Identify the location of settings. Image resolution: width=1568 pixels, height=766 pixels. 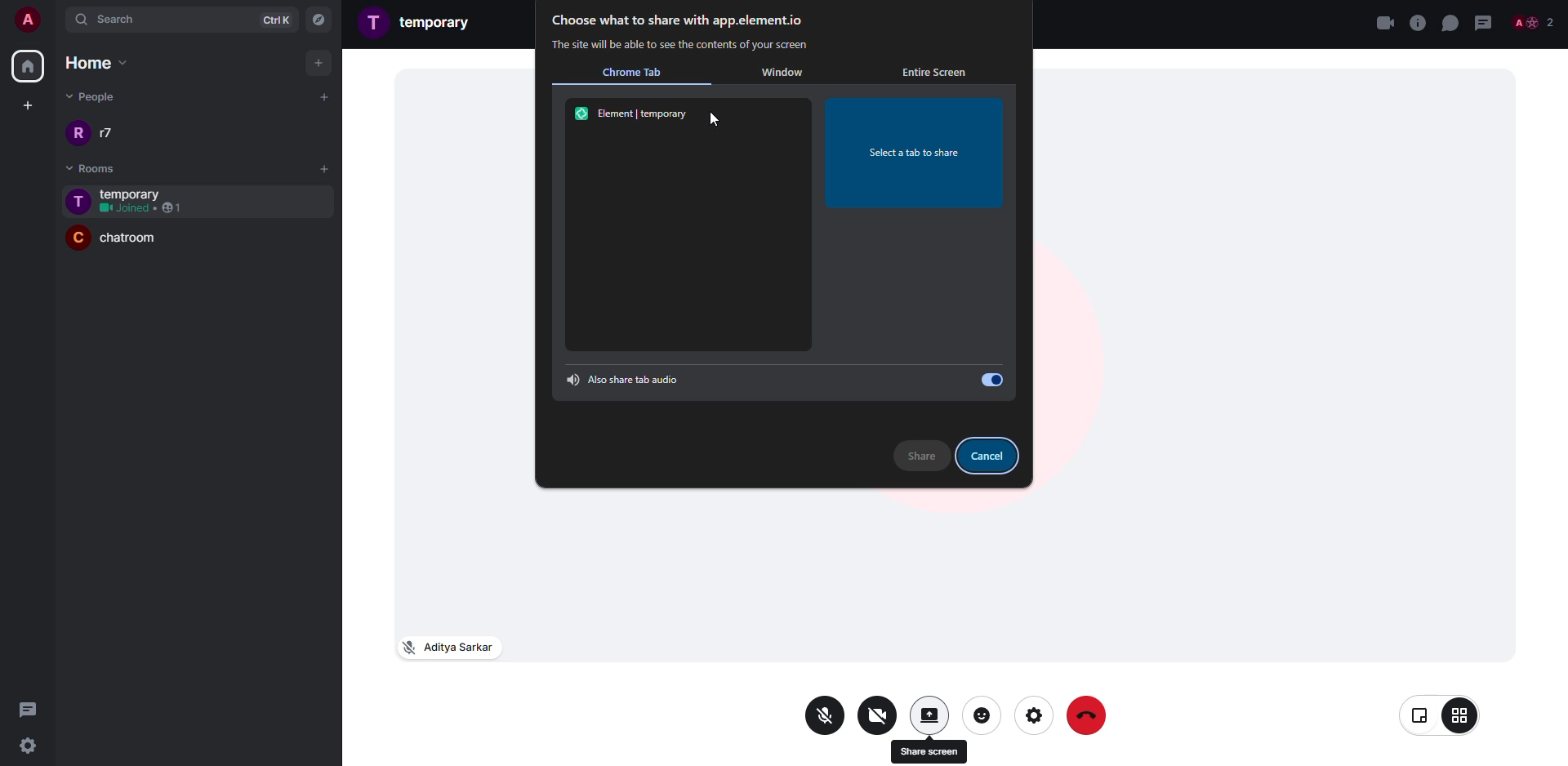
(1032, 715).